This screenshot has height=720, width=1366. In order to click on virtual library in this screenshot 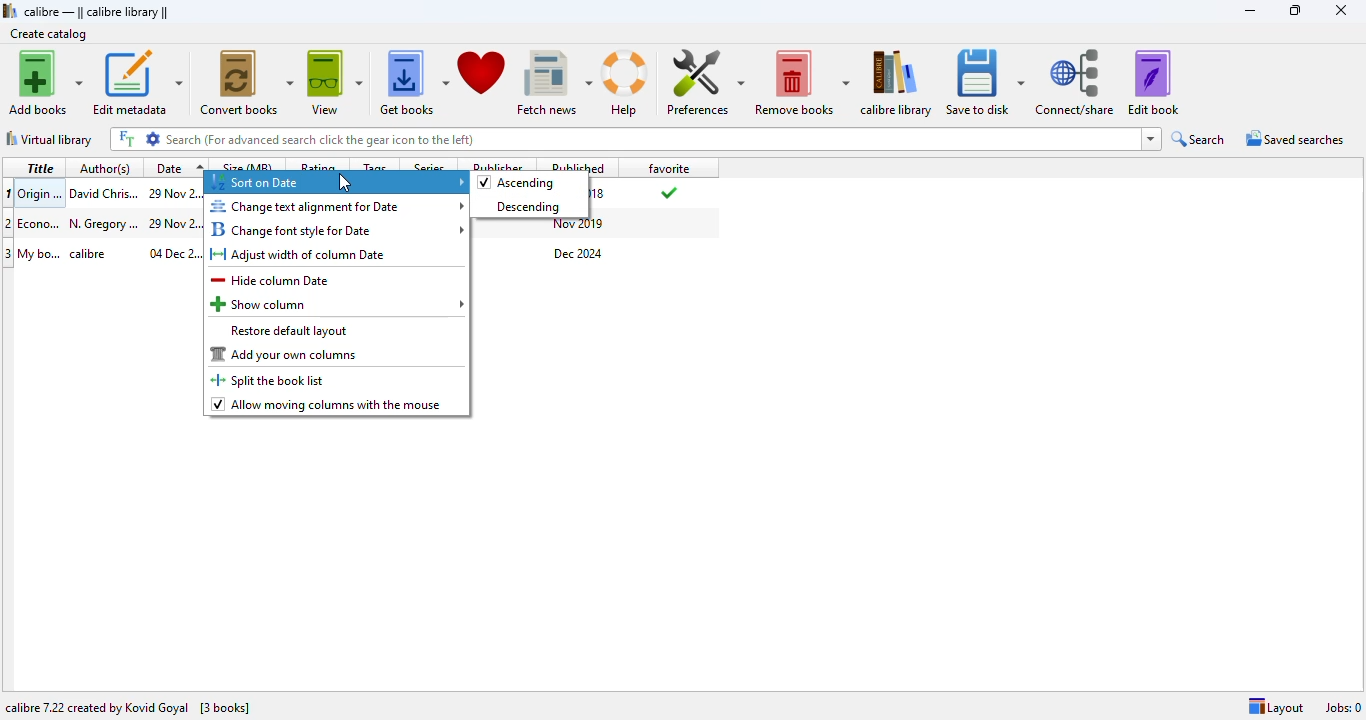, I will do `click(50, 139)`.